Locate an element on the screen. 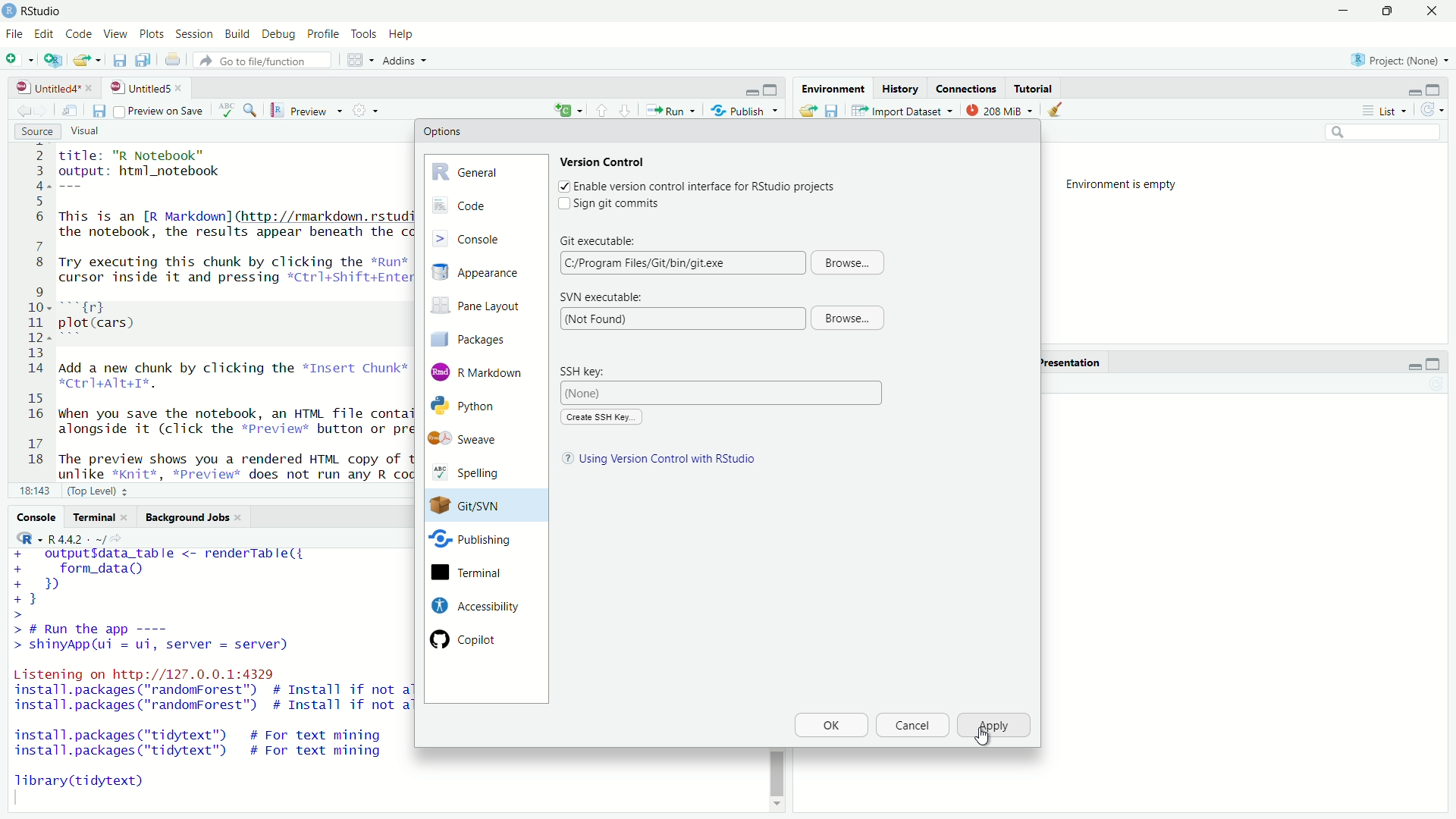 The image size is (1456, 819).  Console is located at coordinates (485, 237).